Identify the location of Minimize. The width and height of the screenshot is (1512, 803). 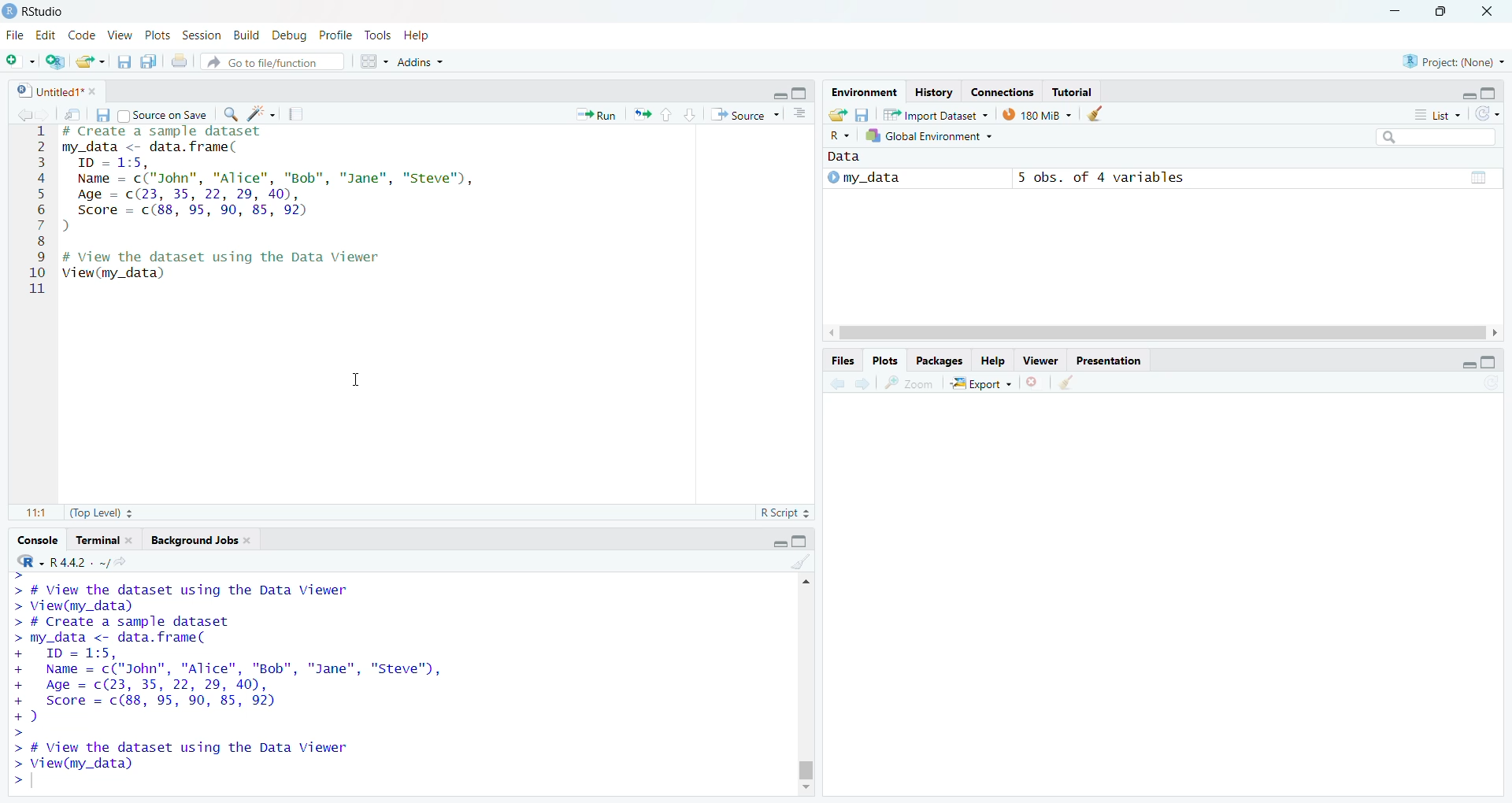
(780, 96).